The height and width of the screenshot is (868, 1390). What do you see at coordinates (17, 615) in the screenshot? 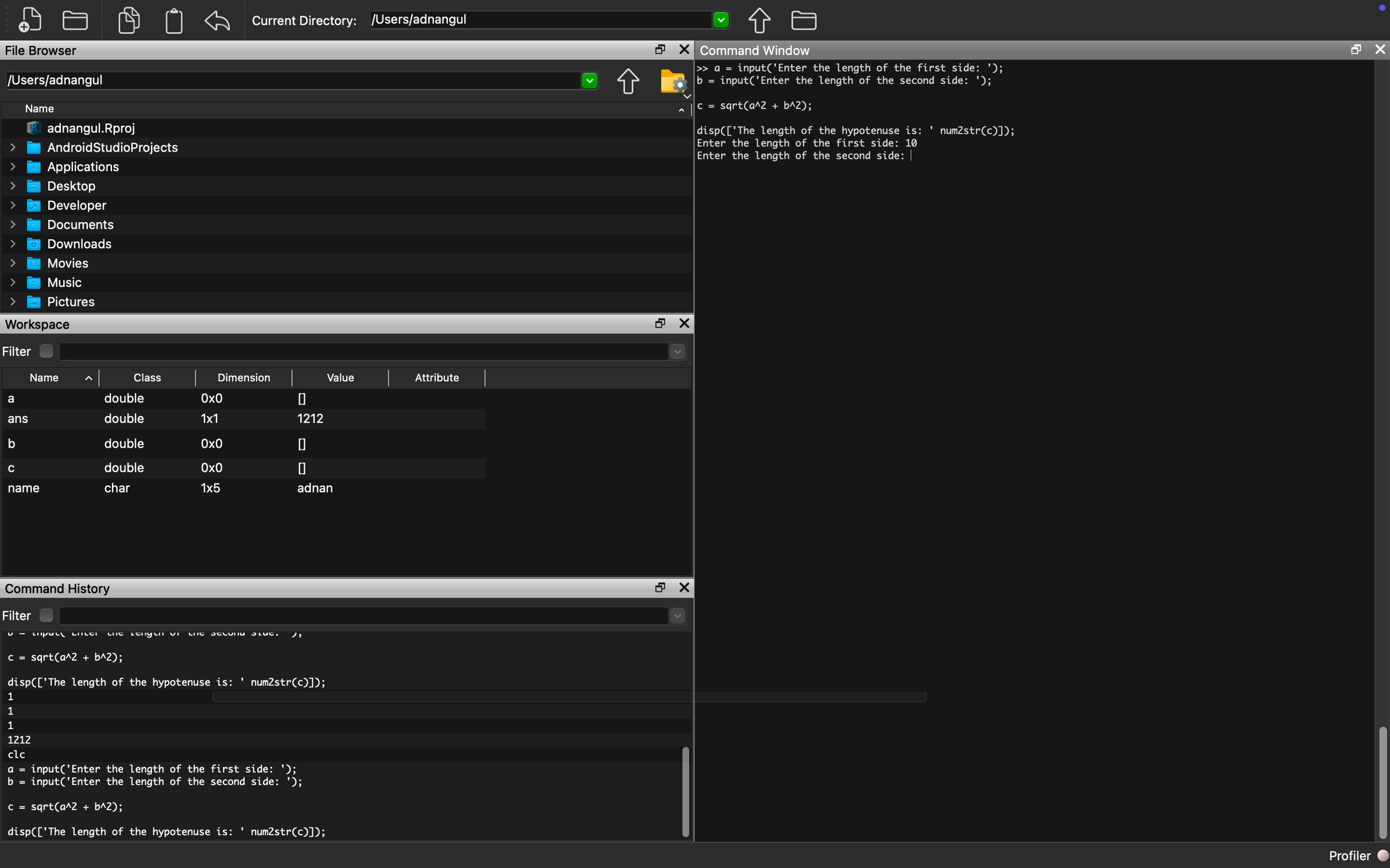
I see `filter` at bounding box center [17, 615].